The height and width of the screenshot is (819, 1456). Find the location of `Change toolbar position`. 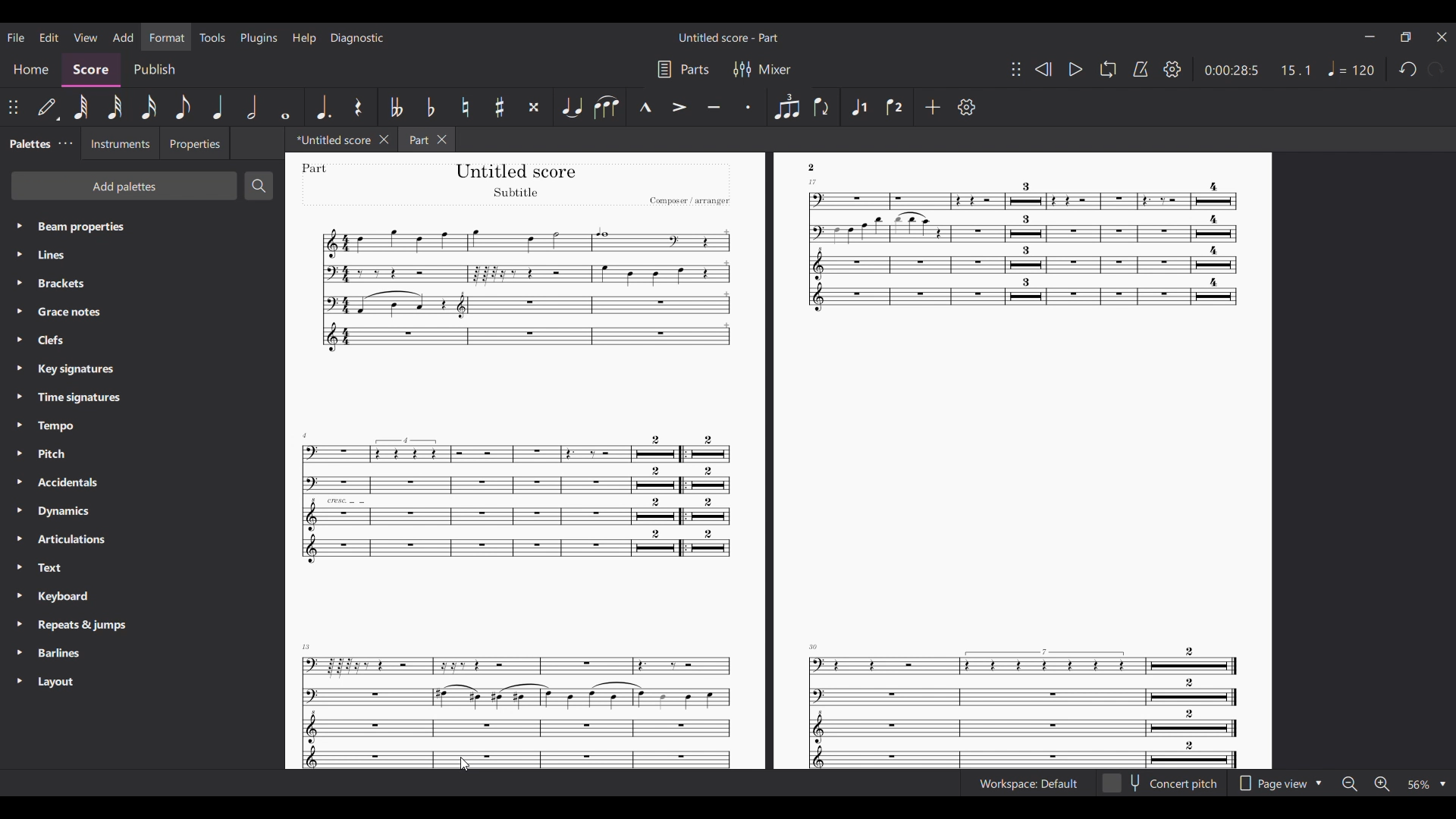

Change toolbar position is located at coordinates (1016, 69).